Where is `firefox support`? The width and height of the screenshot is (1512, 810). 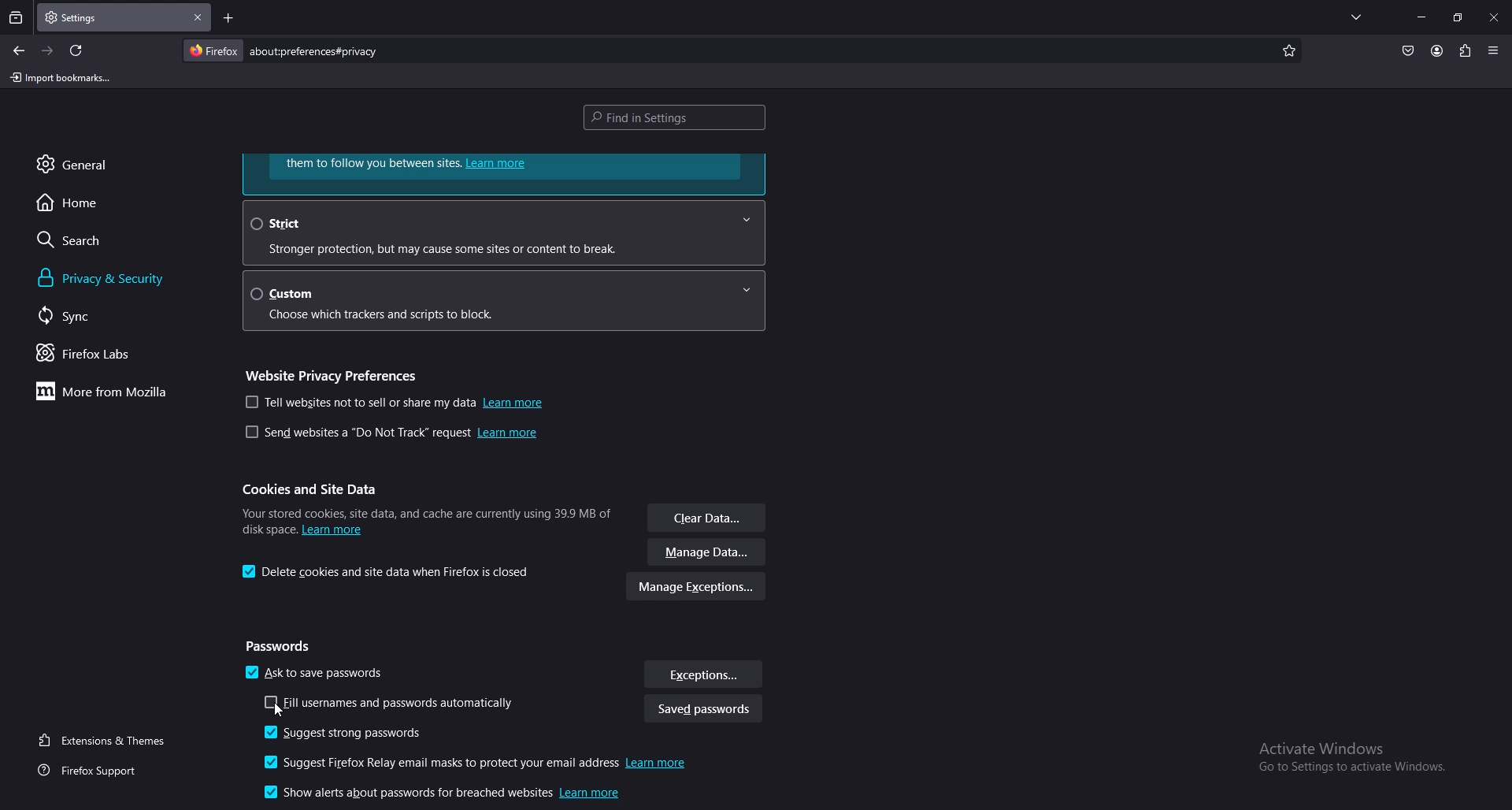 firefox support is located at coordinates (93, 771).